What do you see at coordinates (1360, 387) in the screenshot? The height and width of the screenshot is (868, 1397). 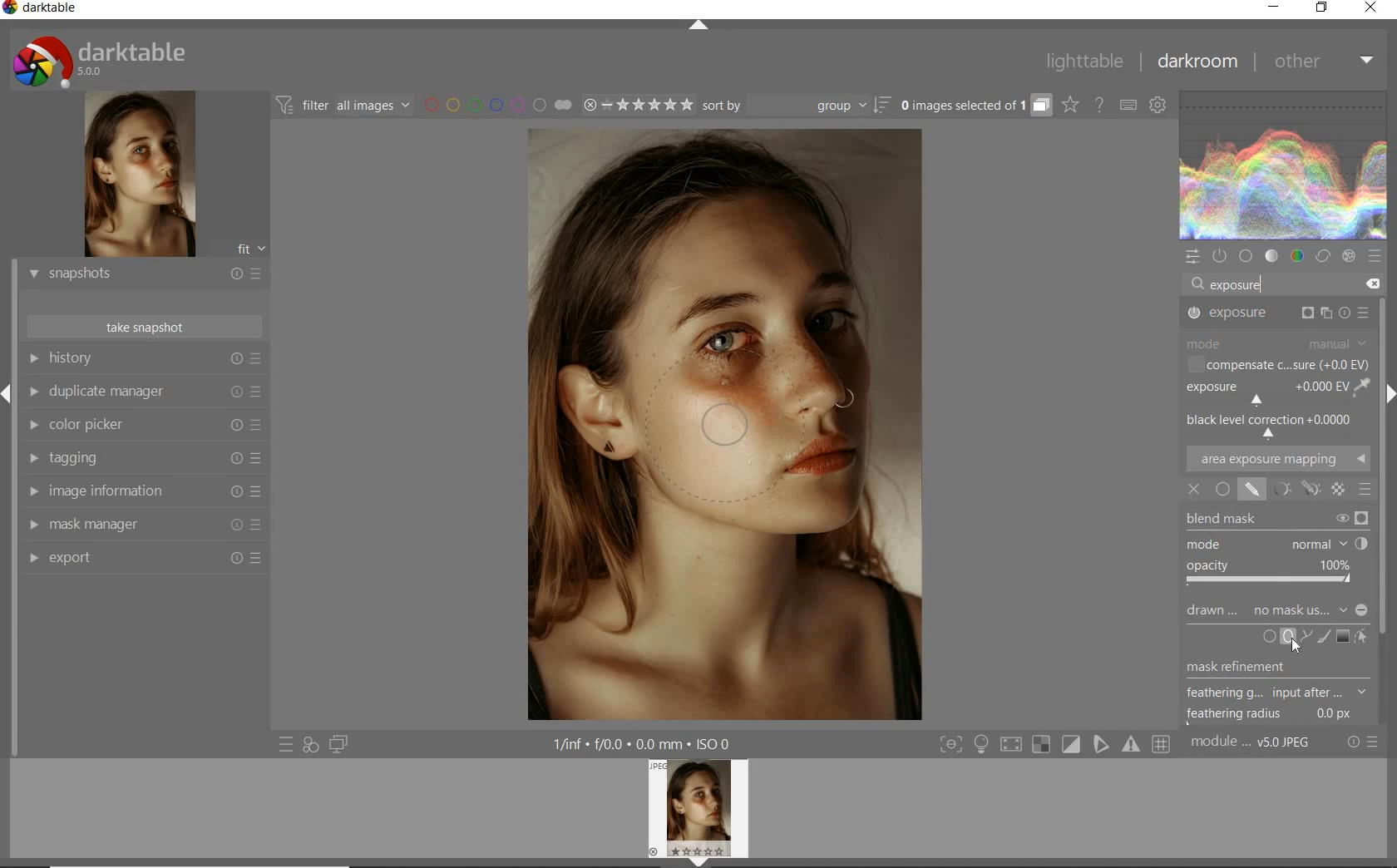 I see `SET THE EXPOSURE ADJUSTMENT USING THE SELECTED AREA` at bounding box center [1360, 387].